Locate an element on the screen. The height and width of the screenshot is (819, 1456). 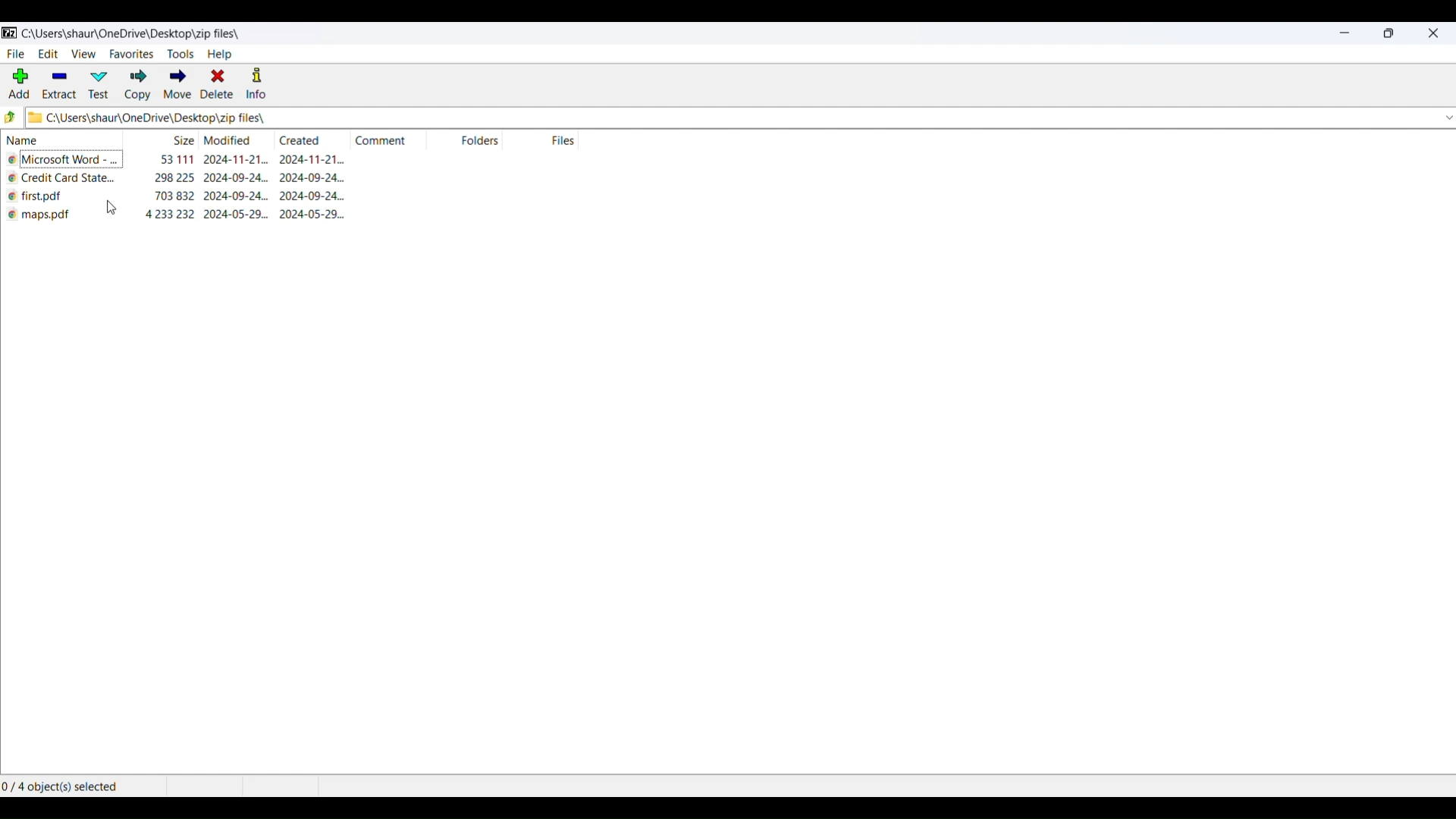
file creation date is located at coordinates (315, 161).